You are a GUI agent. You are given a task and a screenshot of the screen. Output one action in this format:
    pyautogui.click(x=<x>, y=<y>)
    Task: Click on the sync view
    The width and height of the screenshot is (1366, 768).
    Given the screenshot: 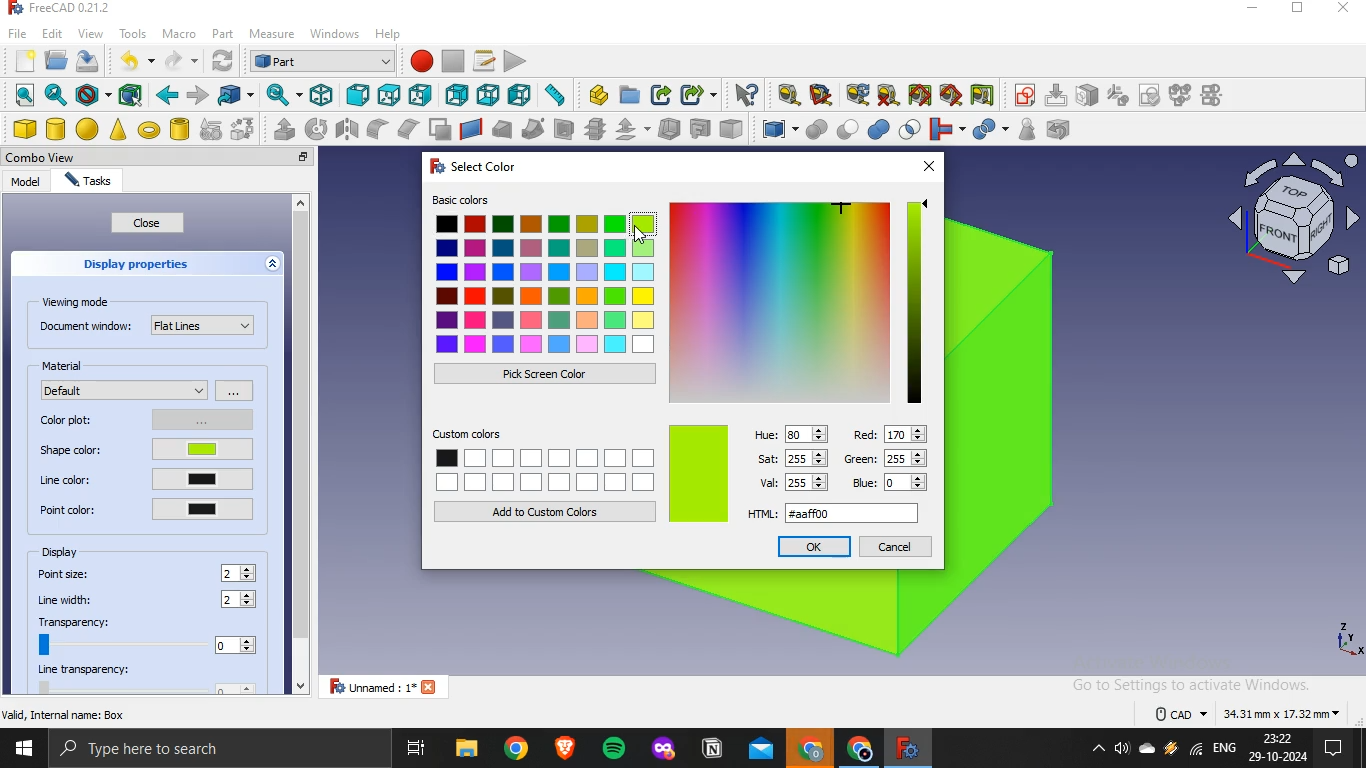 What is the action you would take?
    pyautogui.click(x=281, y=94)
    